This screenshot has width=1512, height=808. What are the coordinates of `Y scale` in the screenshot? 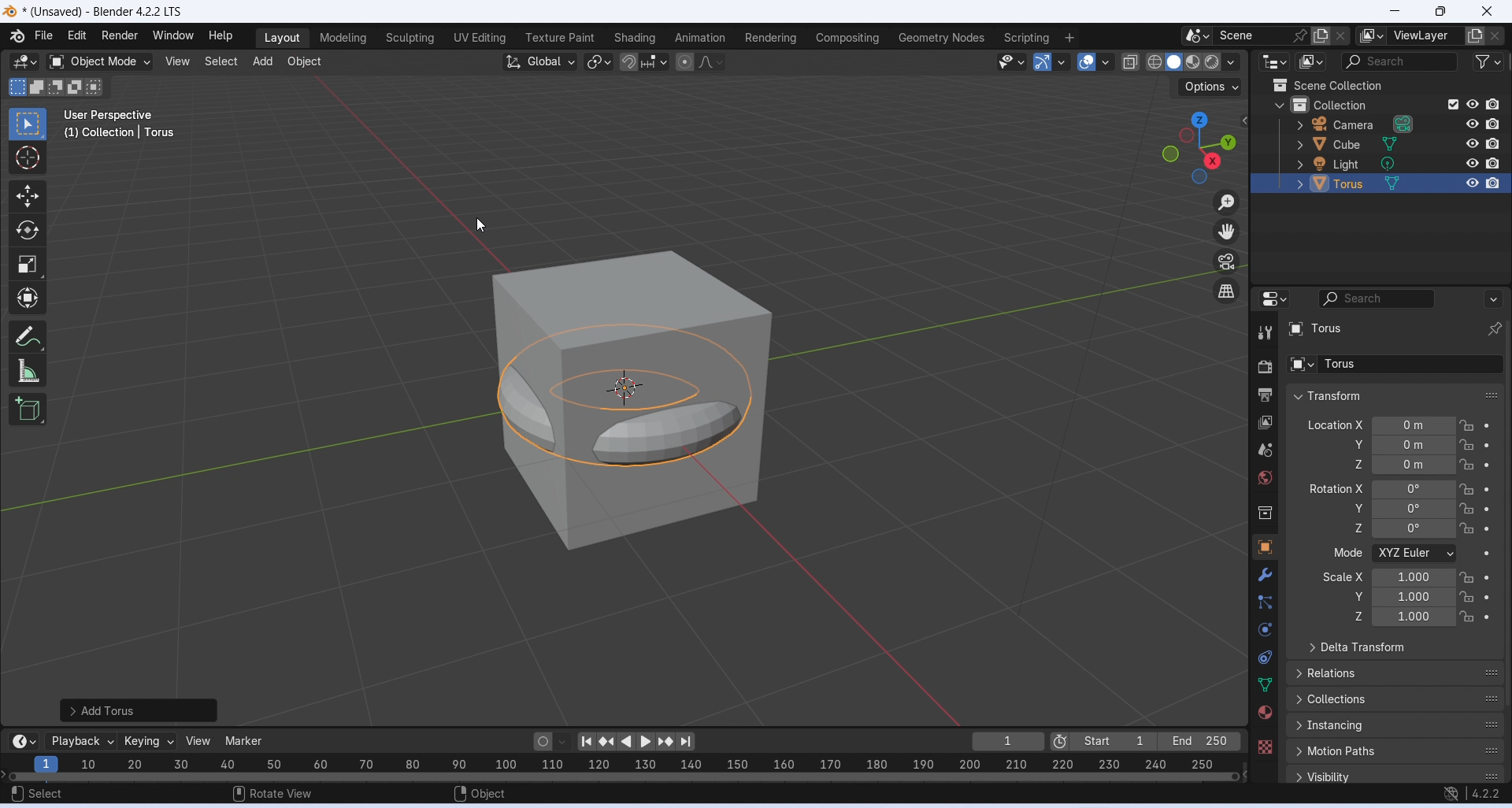 It's located at (1432, 597).